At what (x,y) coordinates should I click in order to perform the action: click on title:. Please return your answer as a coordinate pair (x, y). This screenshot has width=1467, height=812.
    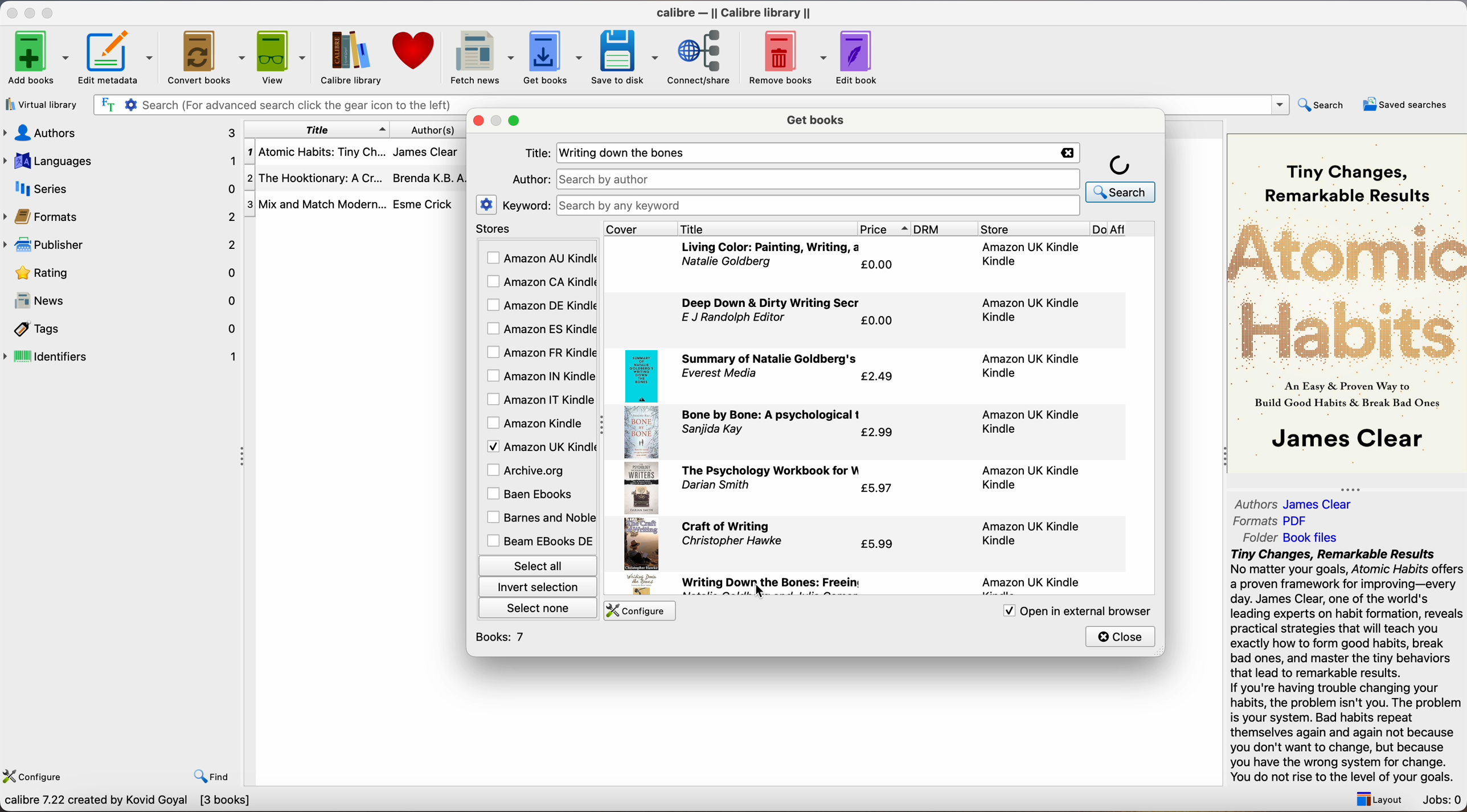
    Looking at the image, I should click on (537, 154).